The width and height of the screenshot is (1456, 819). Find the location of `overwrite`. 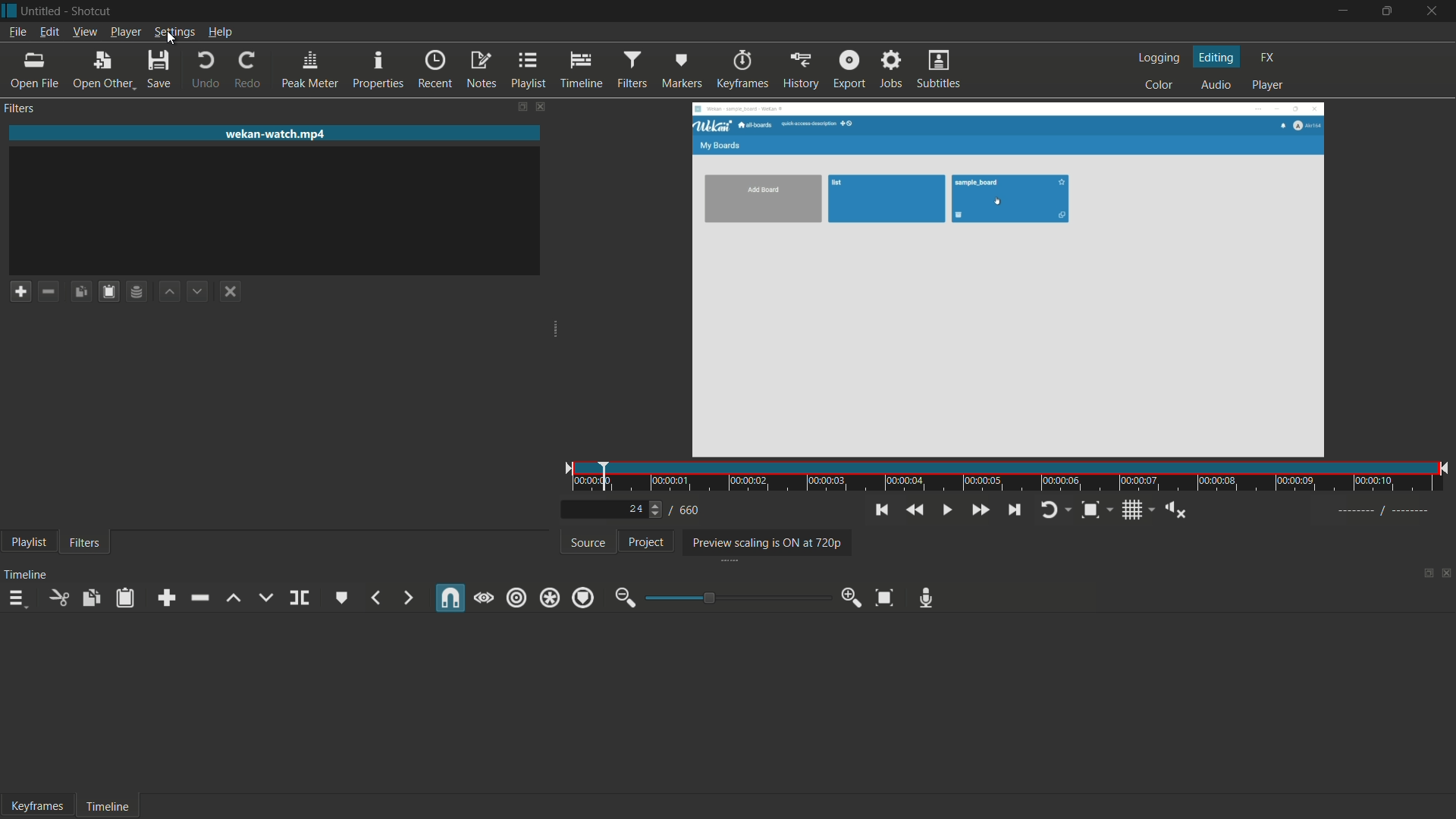

overwrite is located at coordinates (262, 597).